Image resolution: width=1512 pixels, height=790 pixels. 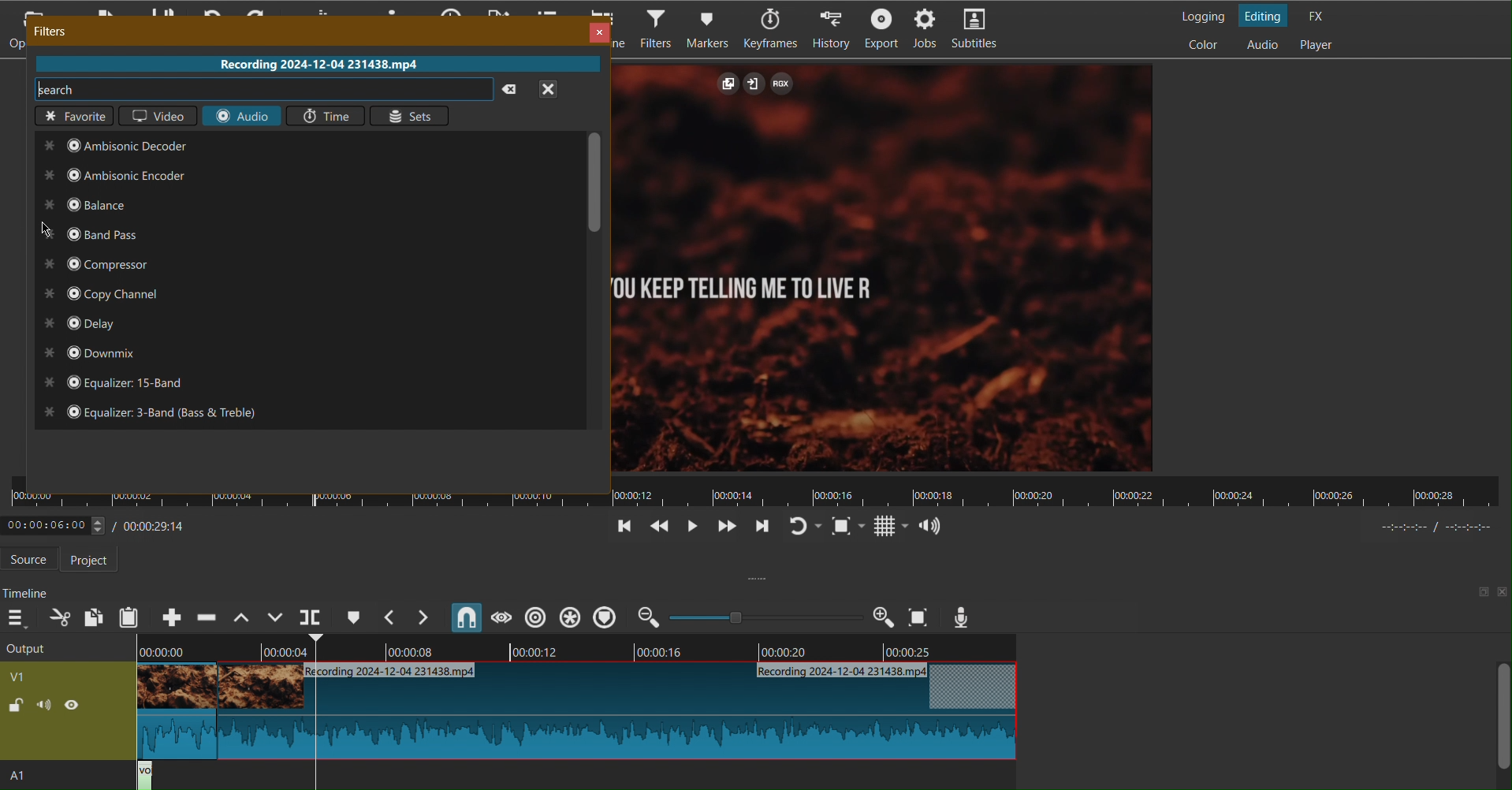 I want to click on maximize, so click(x=1477, y=591).